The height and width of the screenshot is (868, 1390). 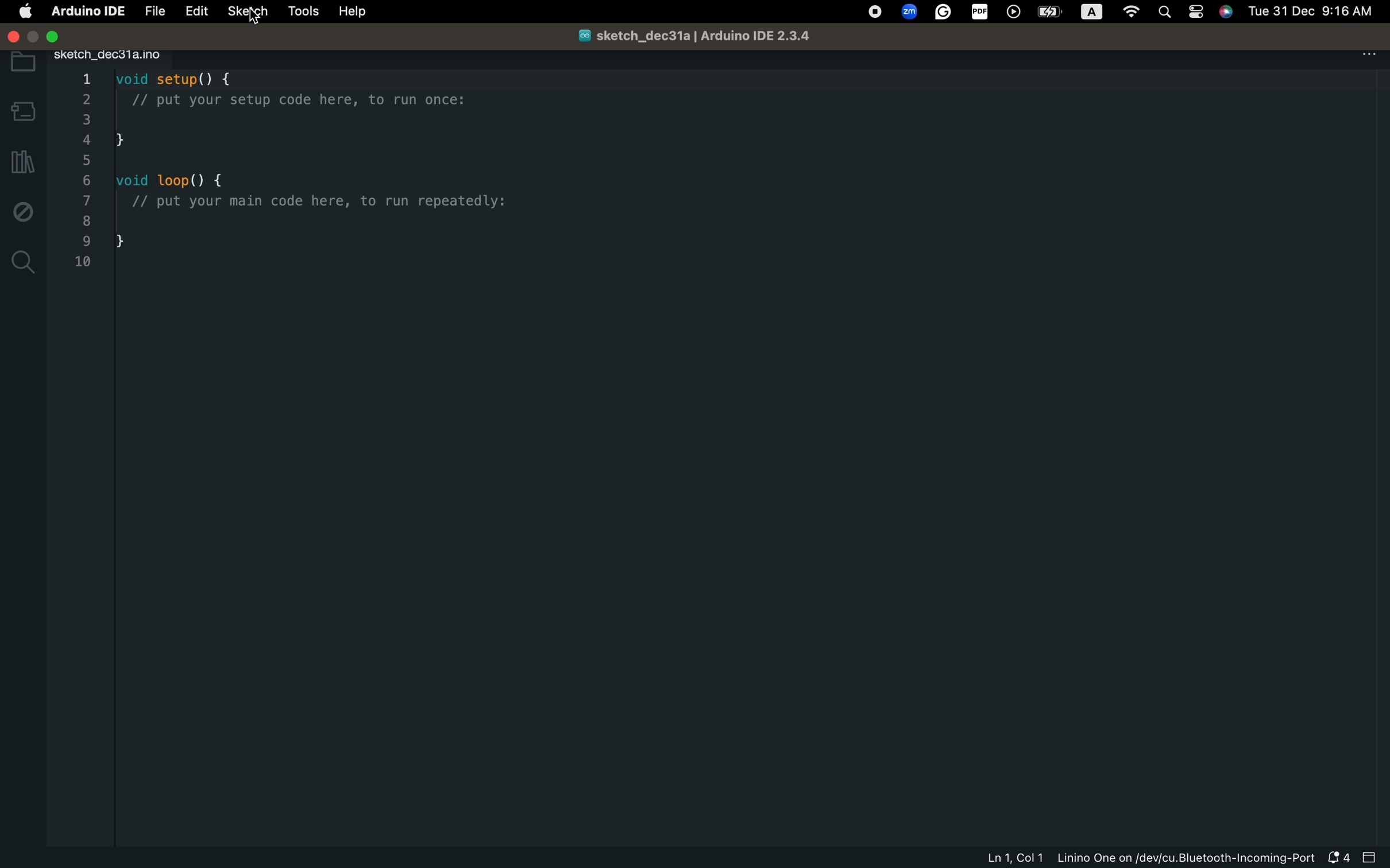 I want to click on arduino, so click(x=84, y=14).